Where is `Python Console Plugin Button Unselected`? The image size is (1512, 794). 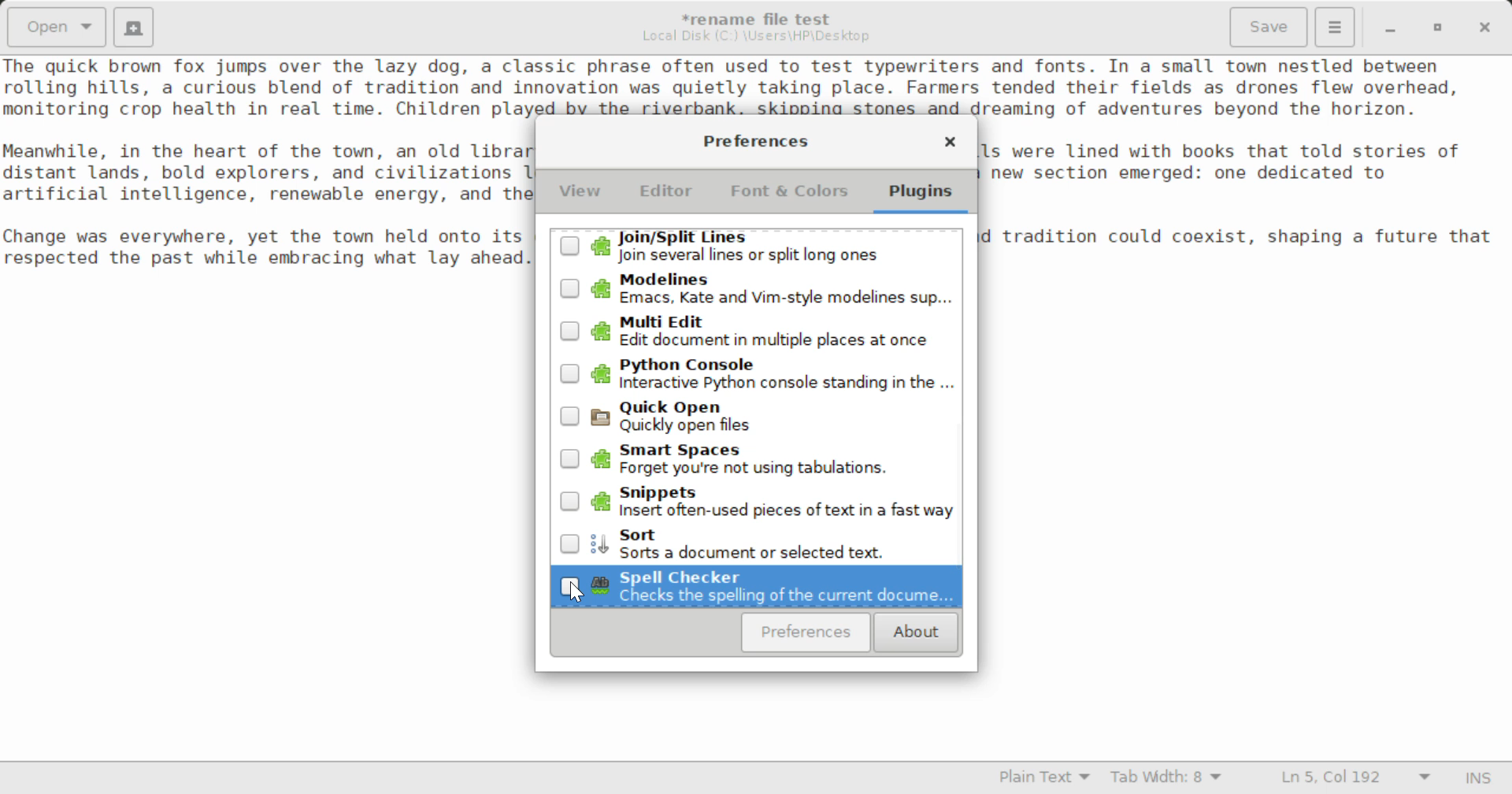 Python Console Plugin Button Unselected is located at coordinates (756, 376).